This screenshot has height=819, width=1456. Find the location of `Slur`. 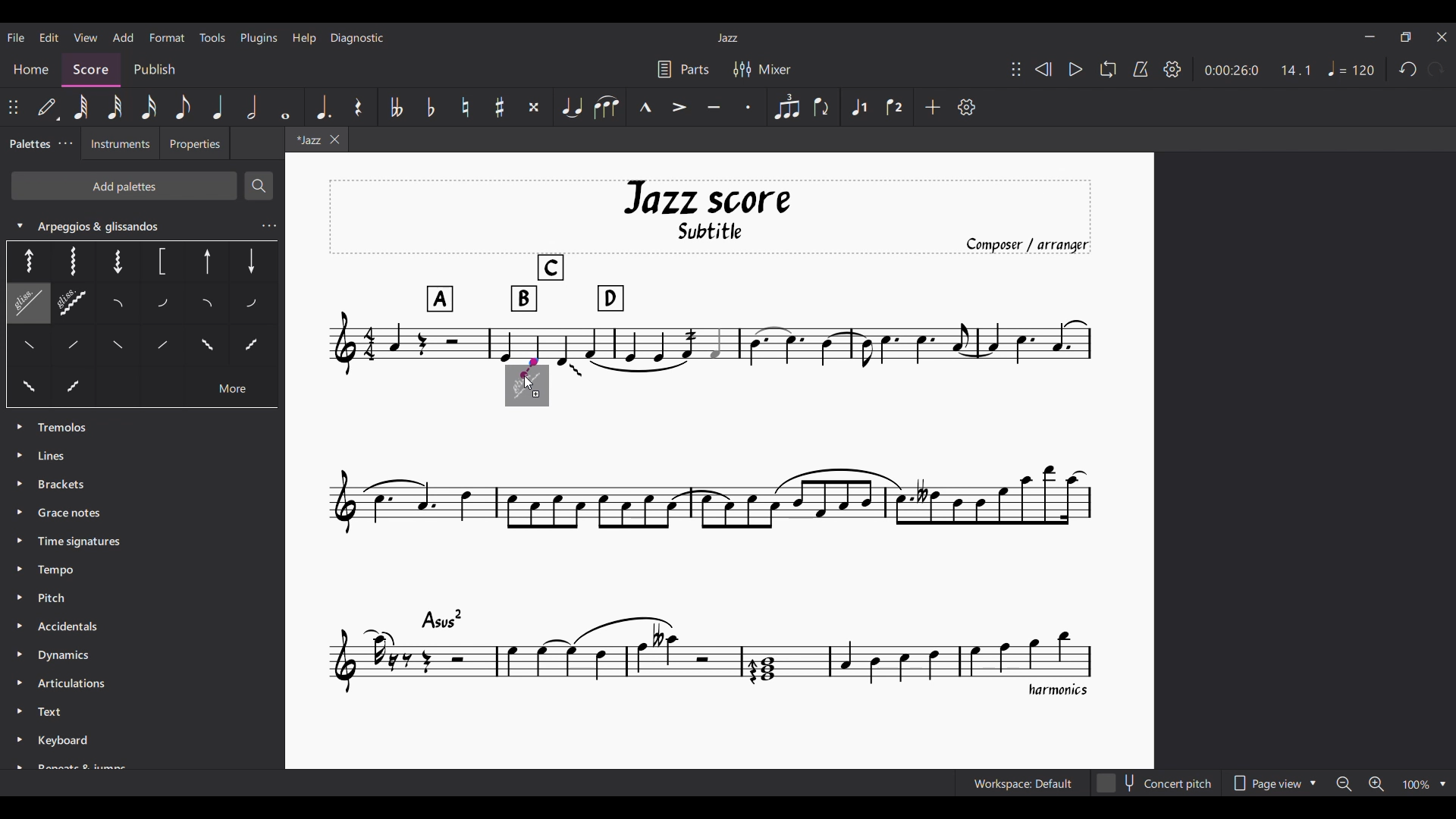

Slur is located at coordinates (606, 107).